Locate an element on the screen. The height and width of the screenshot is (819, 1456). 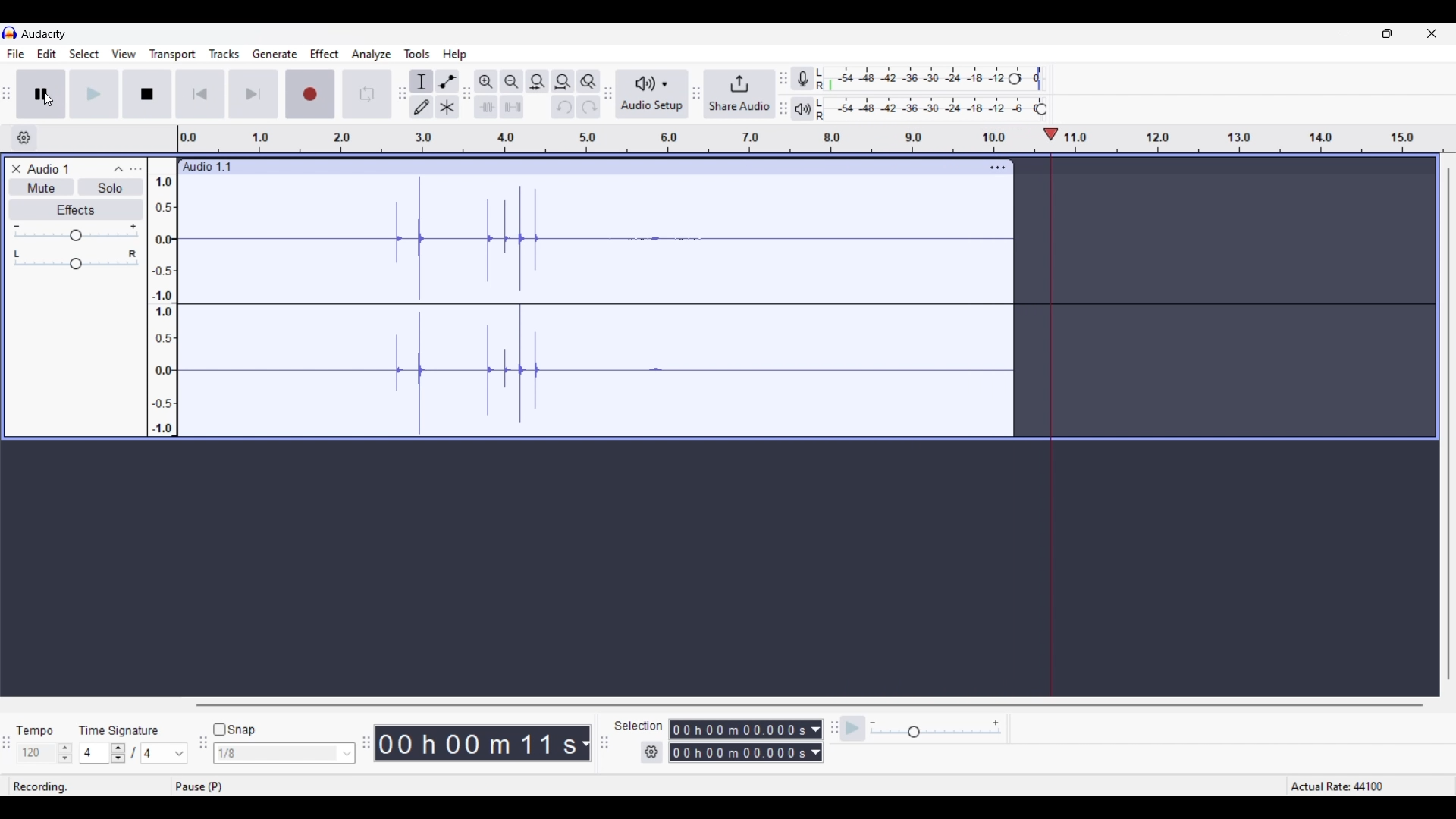
Select menu is located at coordinates (85, 54).